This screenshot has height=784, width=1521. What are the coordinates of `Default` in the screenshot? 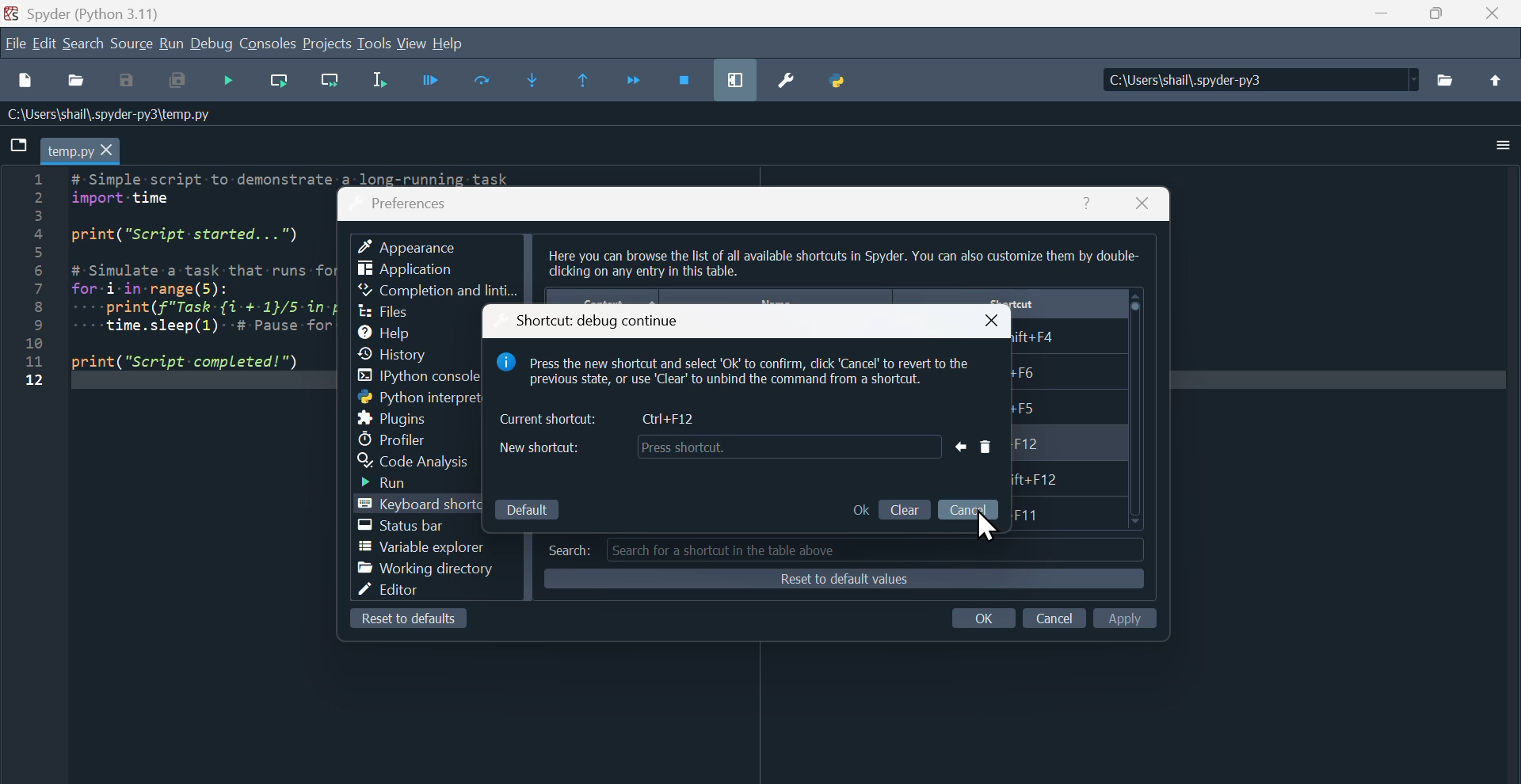 It's located at (536, 512).